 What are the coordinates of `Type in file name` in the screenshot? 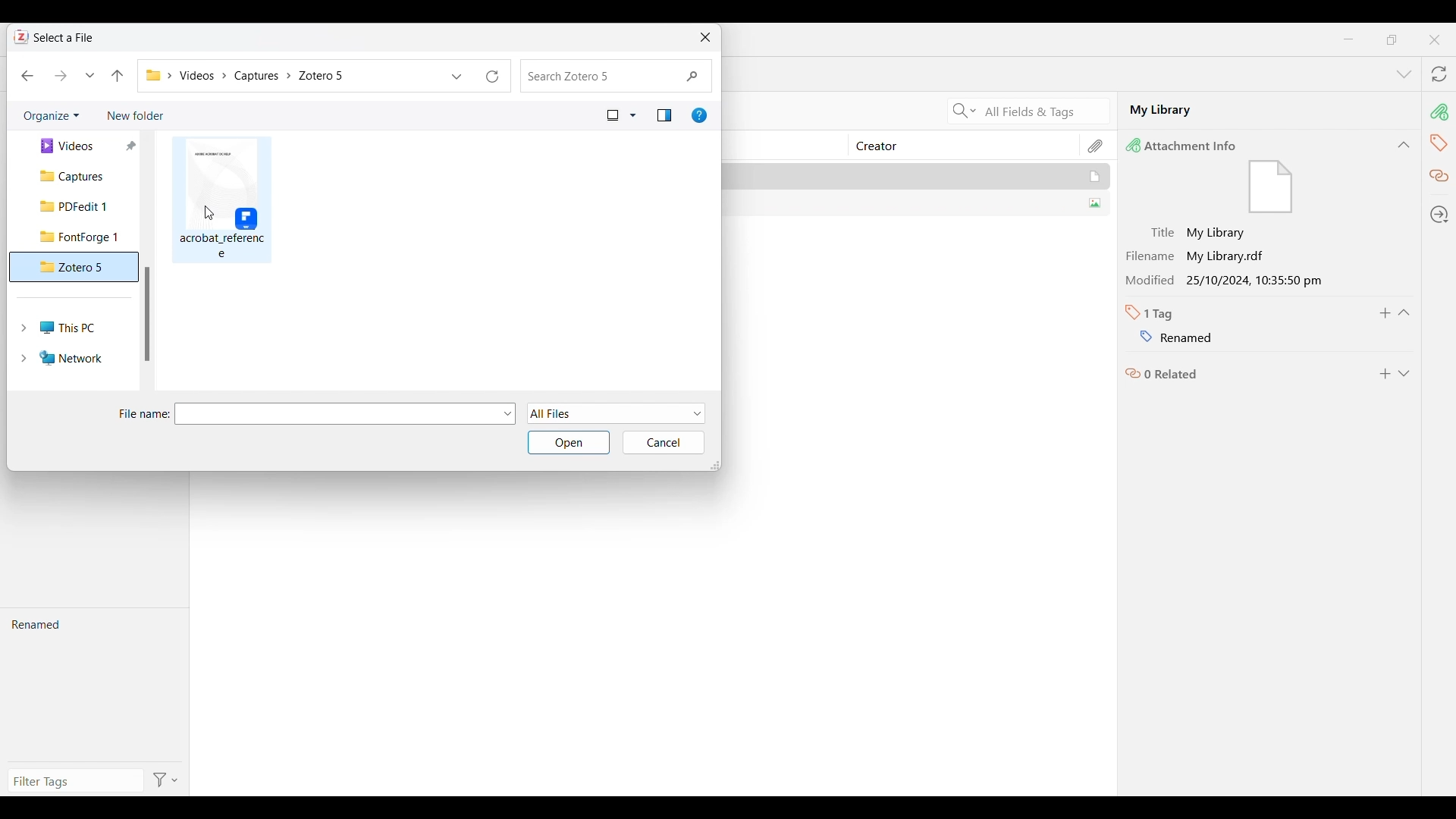 It's located at (333, 413).